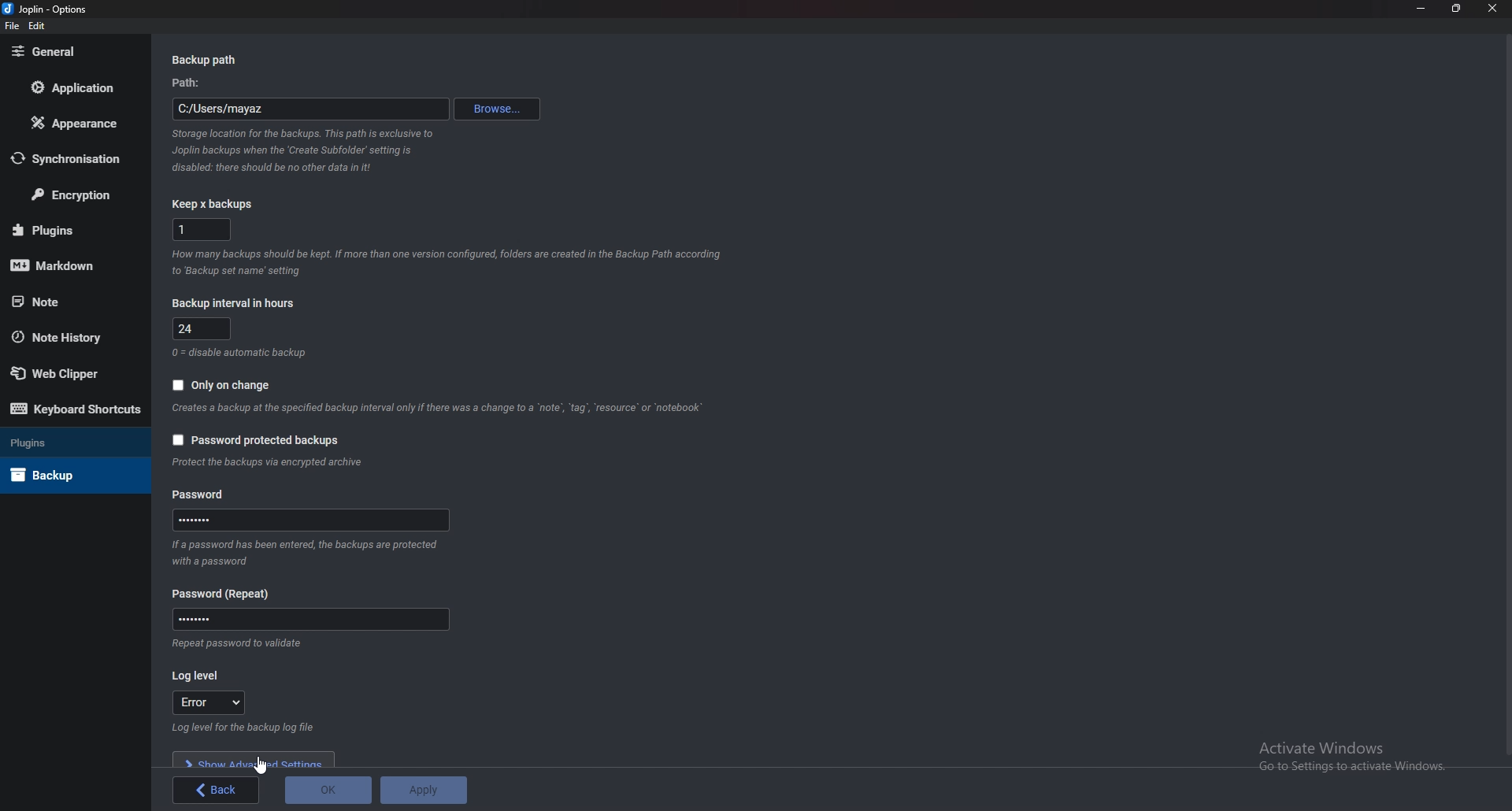 This screenshot has height=811, width=1512. I want to click on Keyboard shortcuts, so click(76, 408).